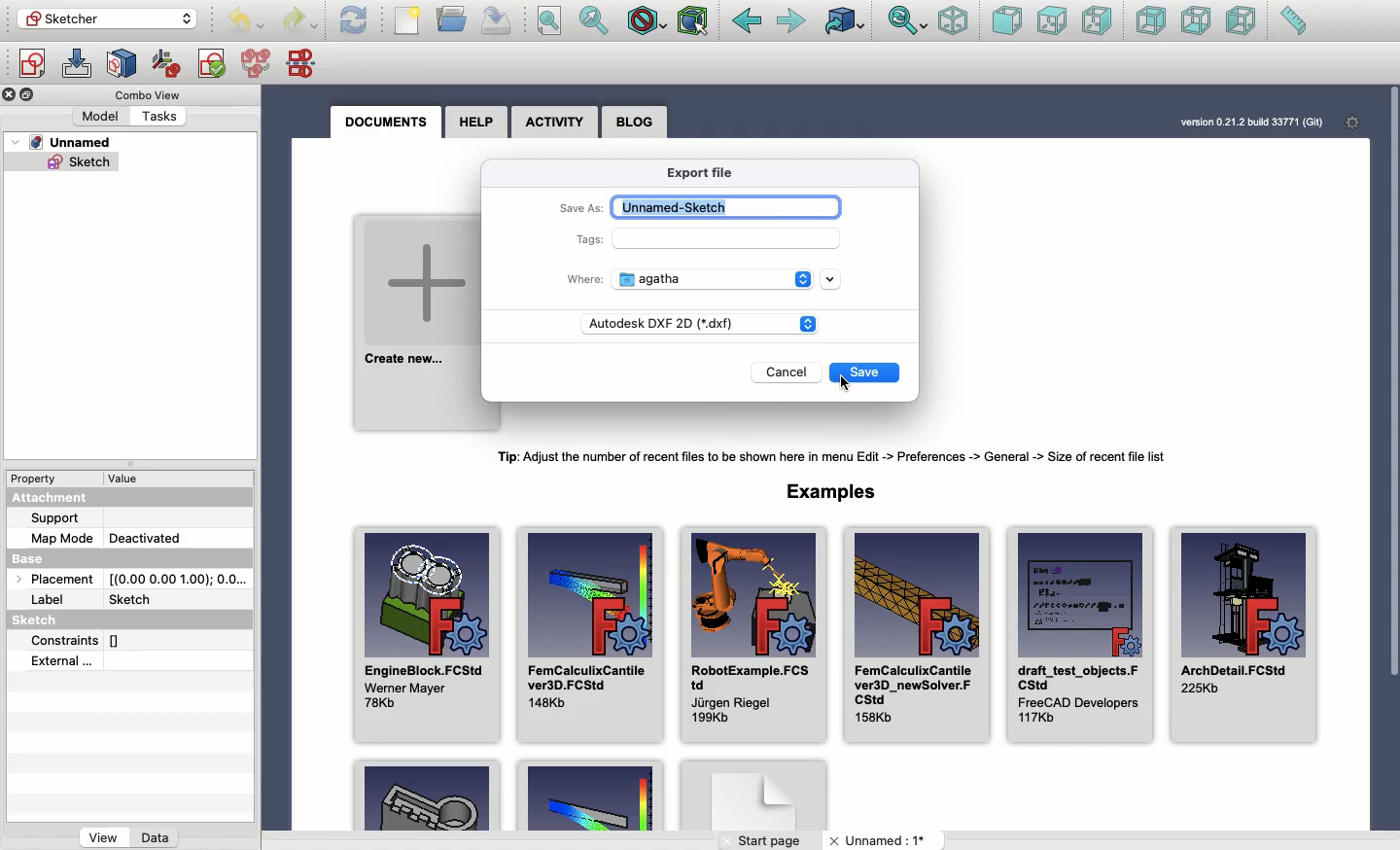 This screenshot has width=1400, height=850. Describe the element at coordinates (60, 497) in the screenshot. I see `Attachment` at that location.